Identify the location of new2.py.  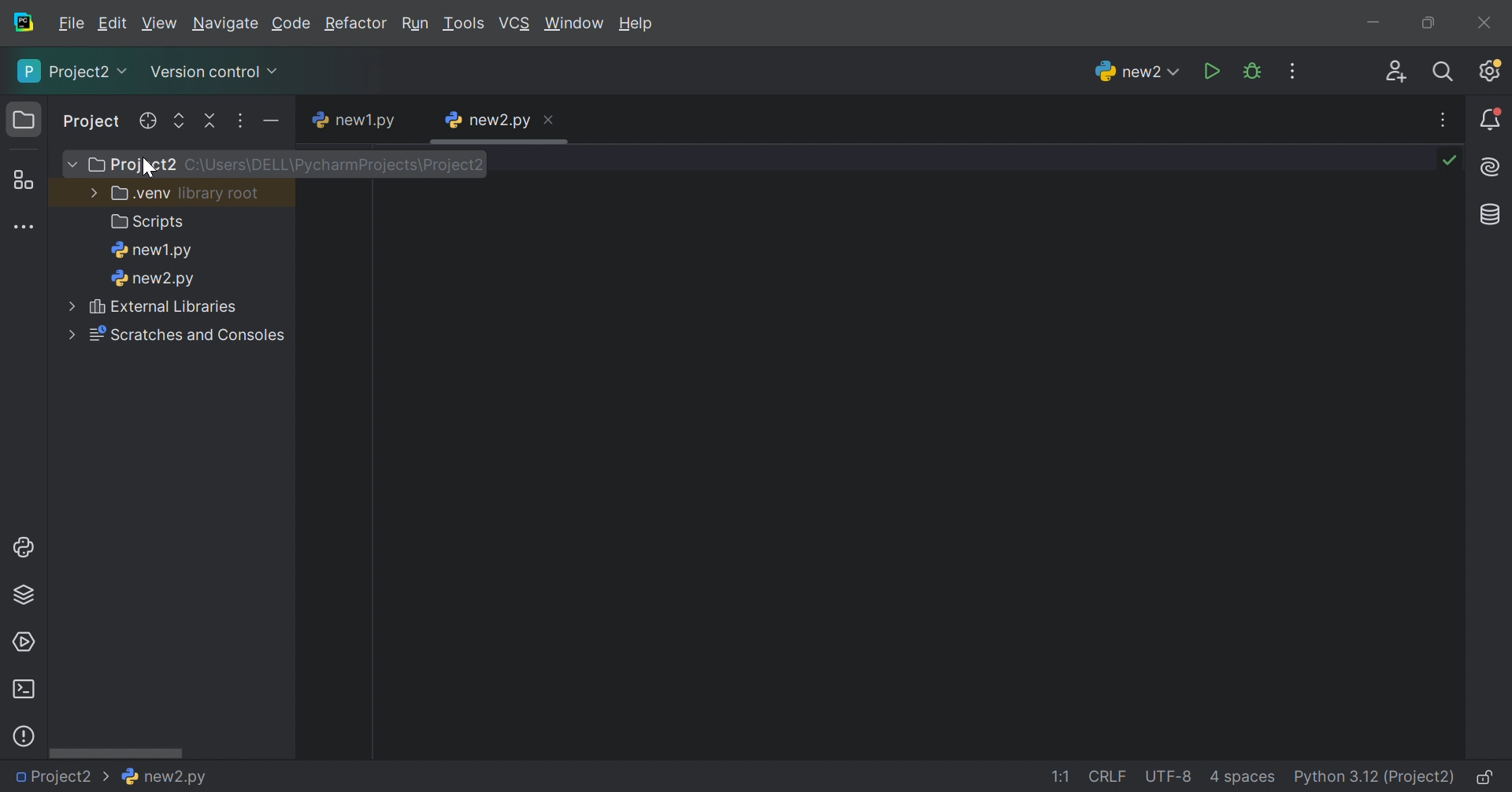
(486, 121).